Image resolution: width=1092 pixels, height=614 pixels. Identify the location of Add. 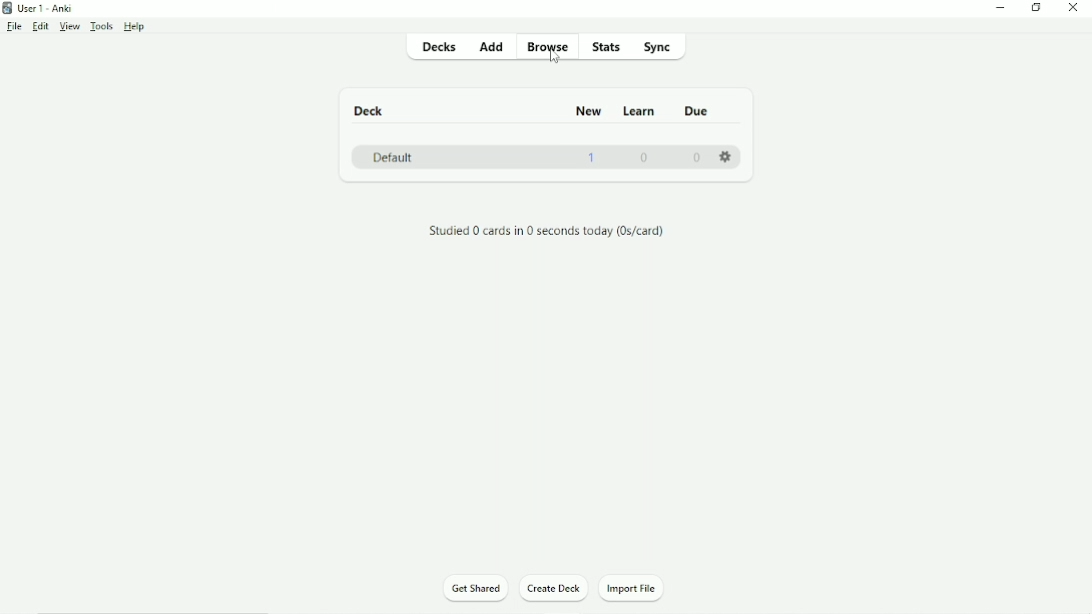
(493, 47).